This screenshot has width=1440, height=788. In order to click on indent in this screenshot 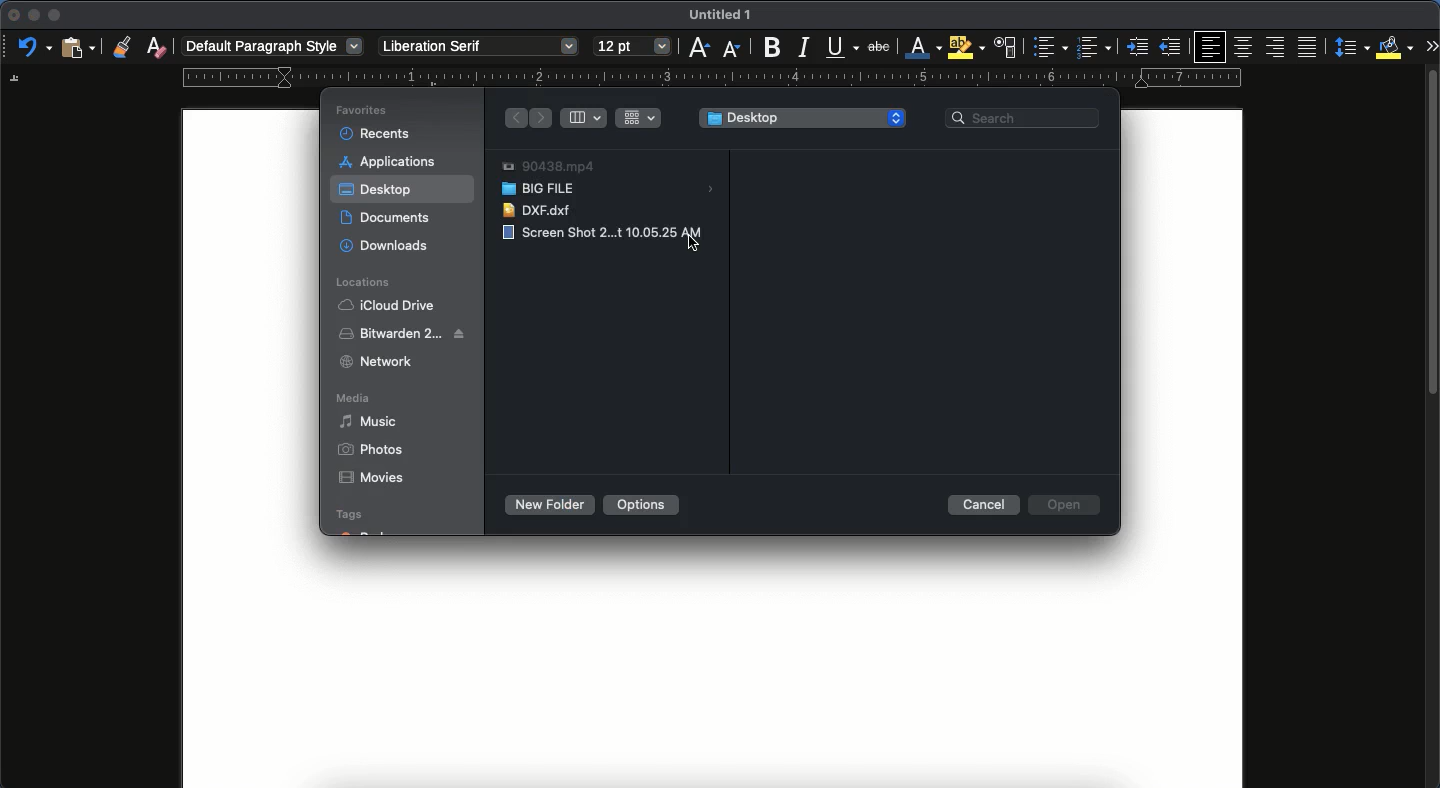, I will do `click(1139, 47)`.